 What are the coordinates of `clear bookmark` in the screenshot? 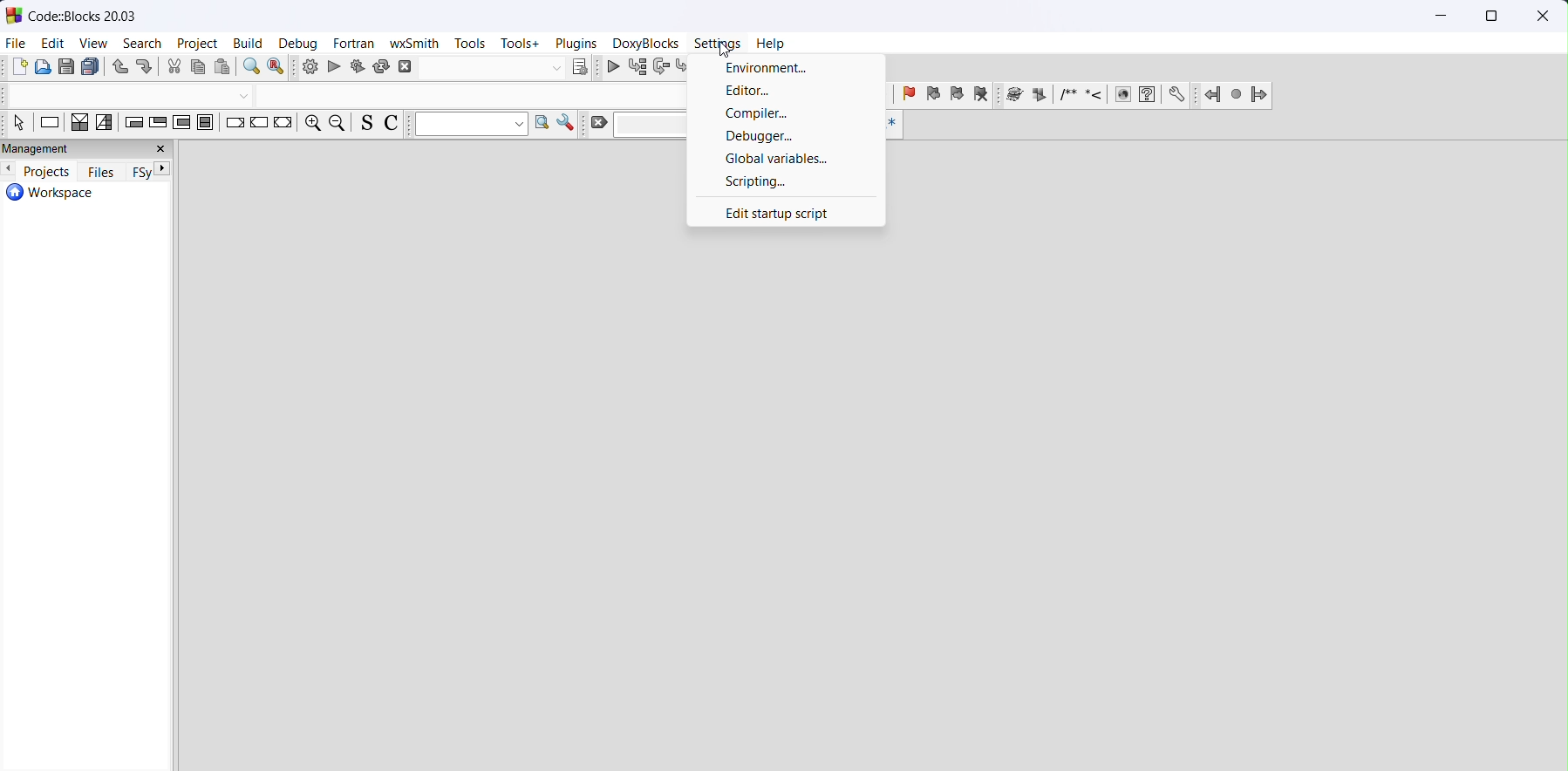 It's located at (981, 96).